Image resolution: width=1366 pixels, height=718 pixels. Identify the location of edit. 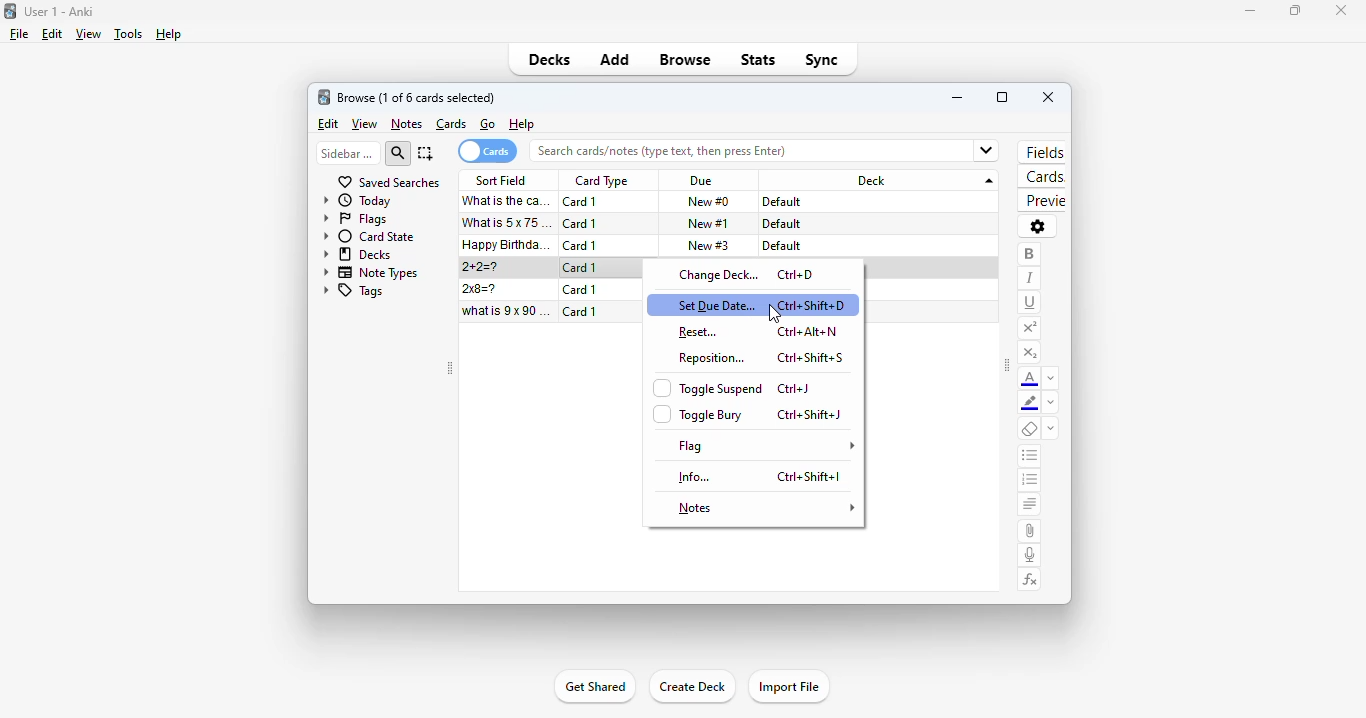
(327, 124).